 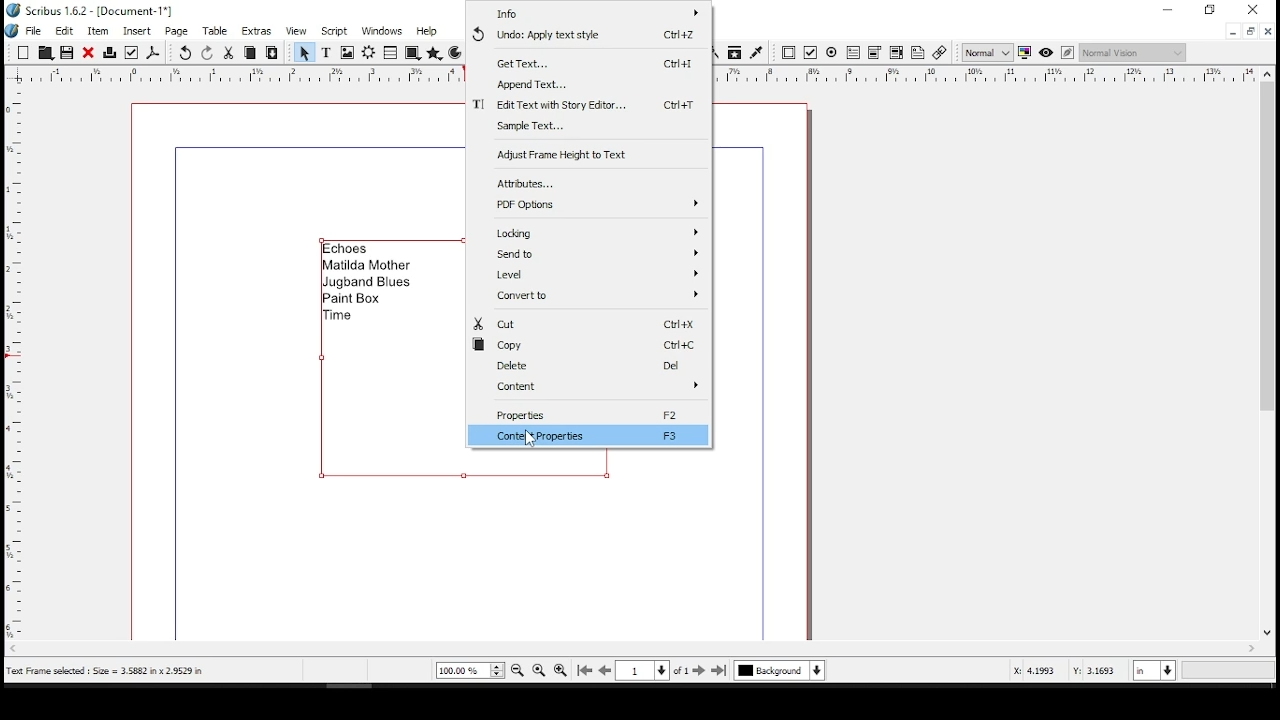 I want to click on level, so click(x=589, y=275).